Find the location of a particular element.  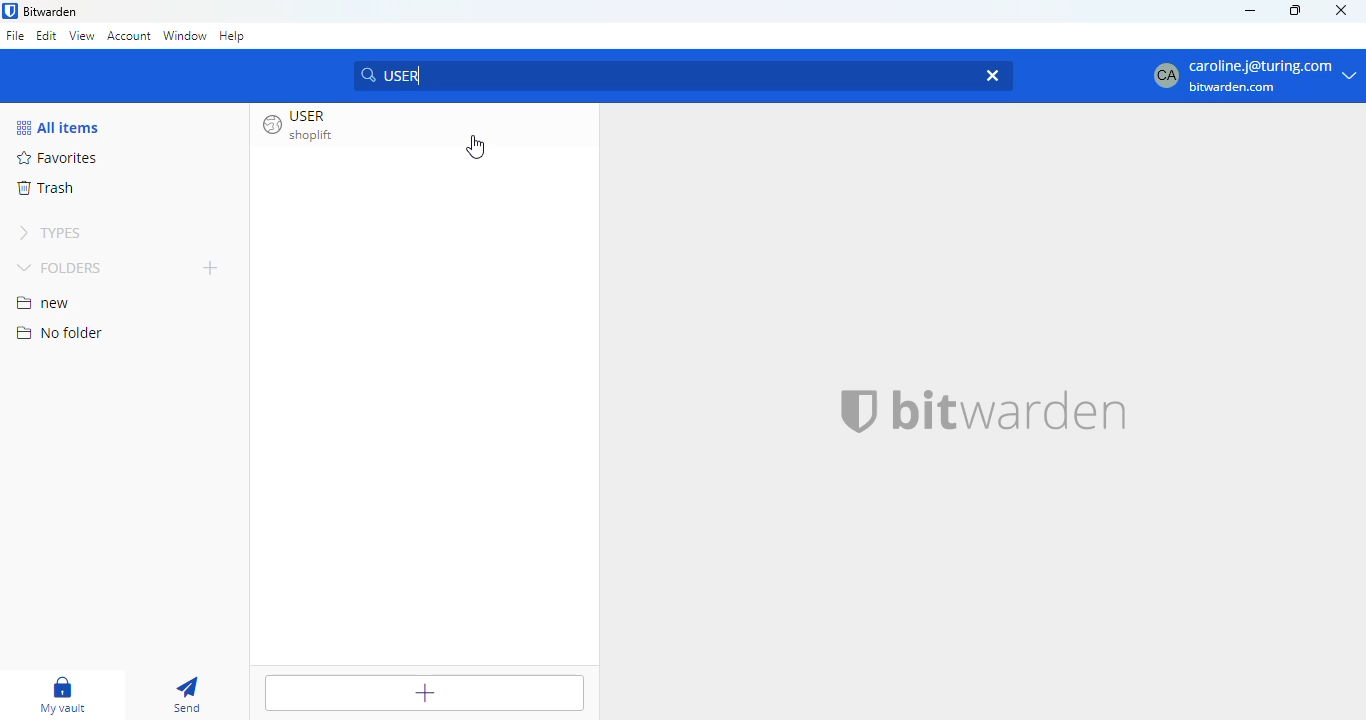

help is located at coordinates (232, 35).